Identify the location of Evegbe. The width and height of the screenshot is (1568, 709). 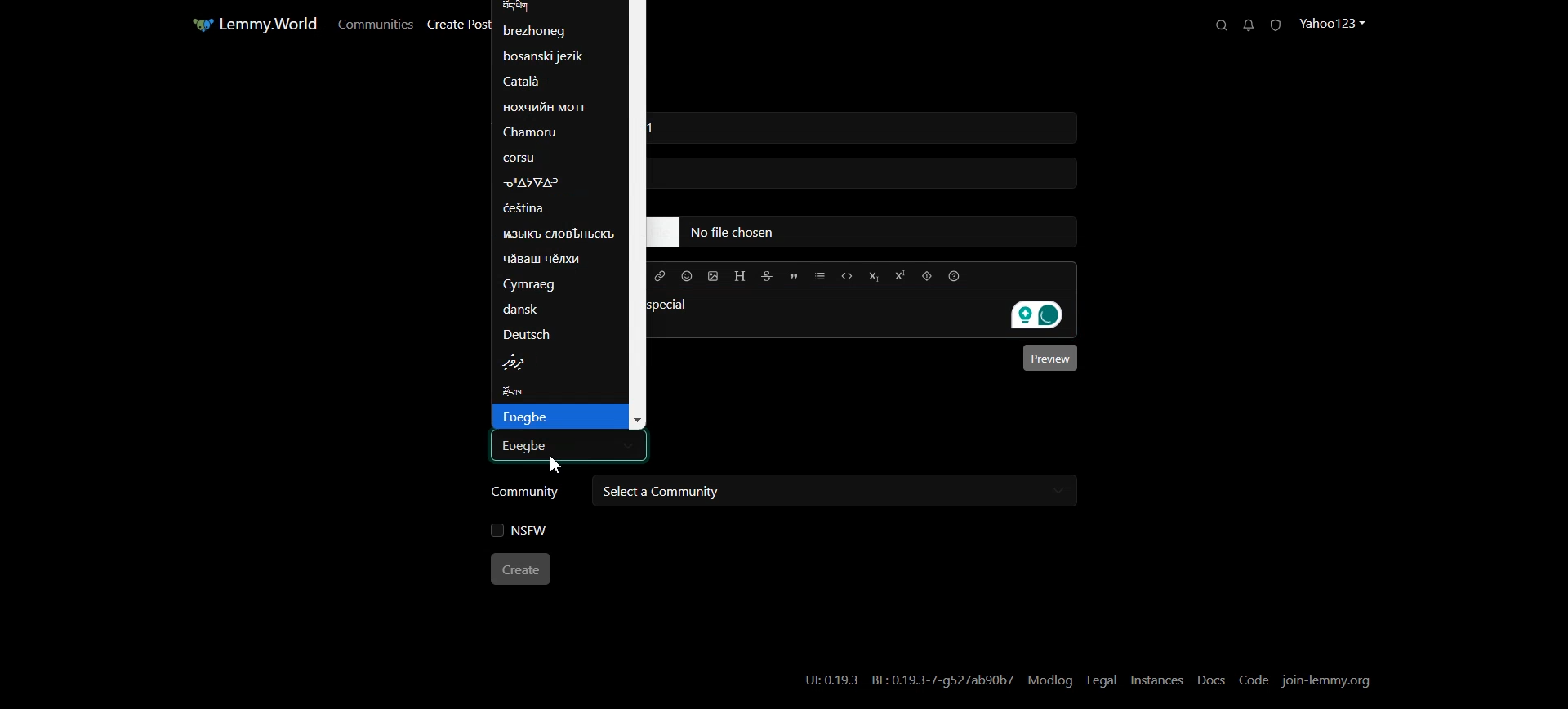
(559, 417).